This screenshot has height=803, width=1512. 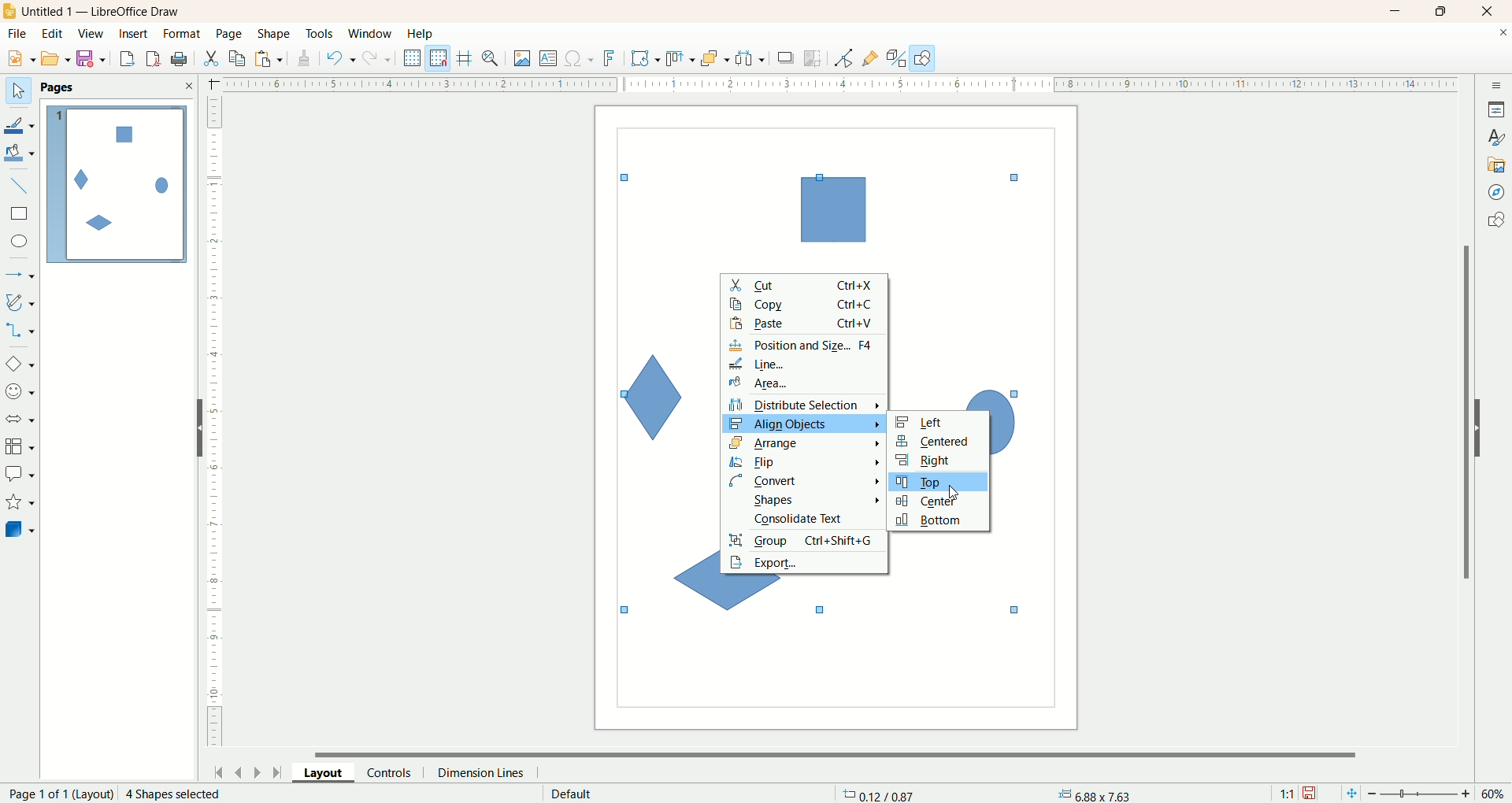 What do you see at coordinates (1311, 794) in the screenshot?
I see `save` at bounding box center [1311, 794].